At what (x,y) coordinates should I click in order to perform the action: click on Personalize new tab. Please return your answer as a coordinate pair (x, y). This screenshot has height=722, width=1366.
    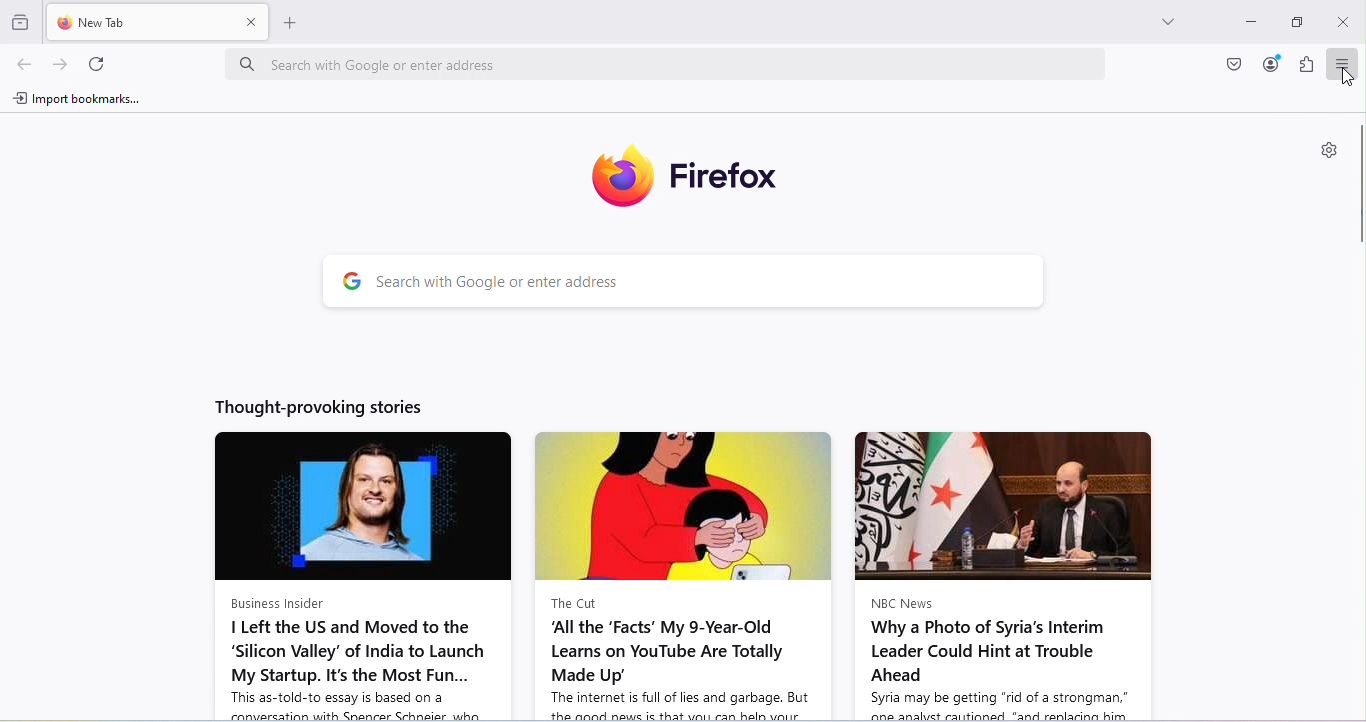
    Looking at the image, I should click on (1323, 150).